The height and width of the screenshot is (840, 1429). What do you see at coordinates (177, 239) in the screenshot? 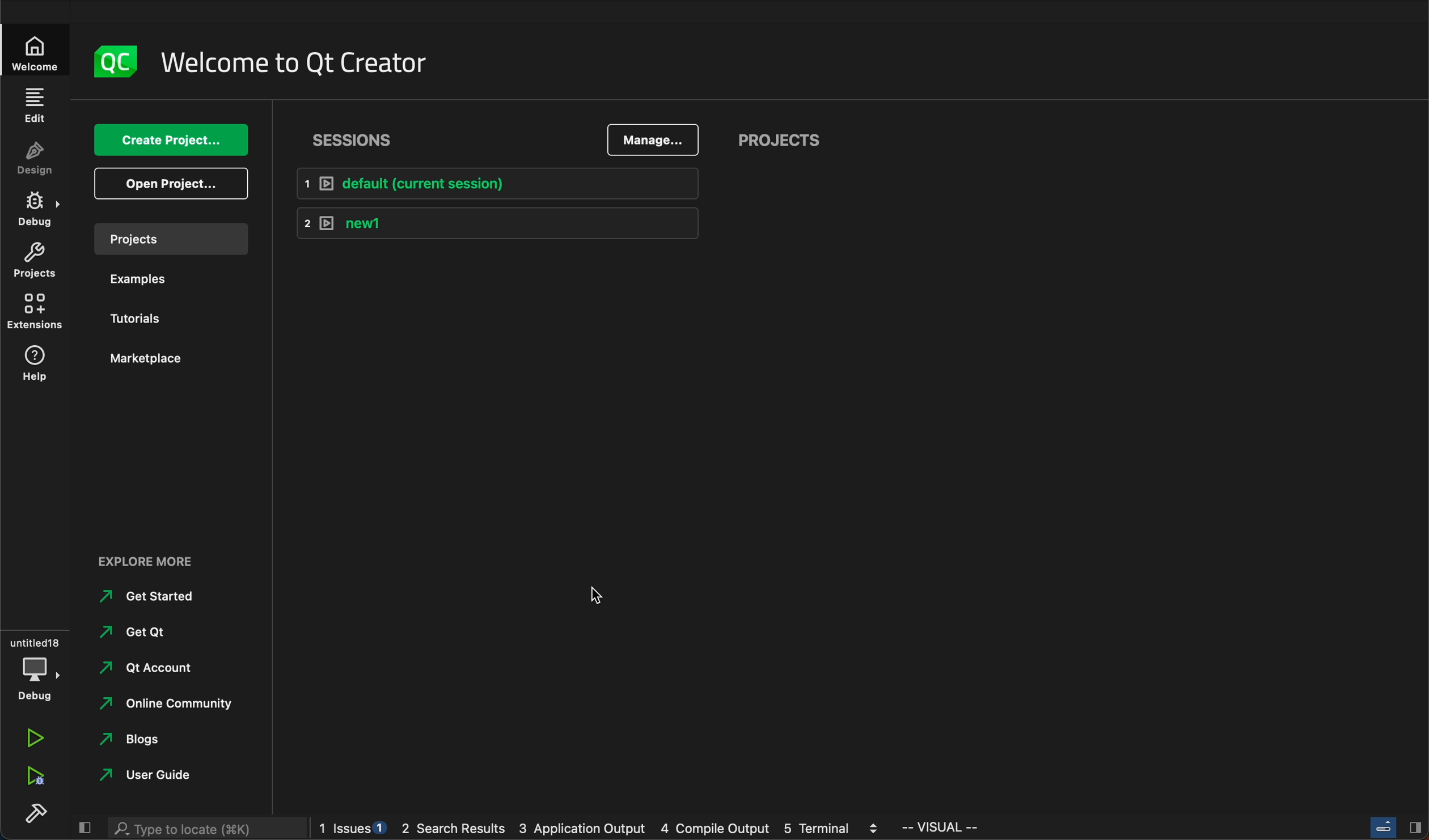
I see `projects` at bounding box center [177, 239].